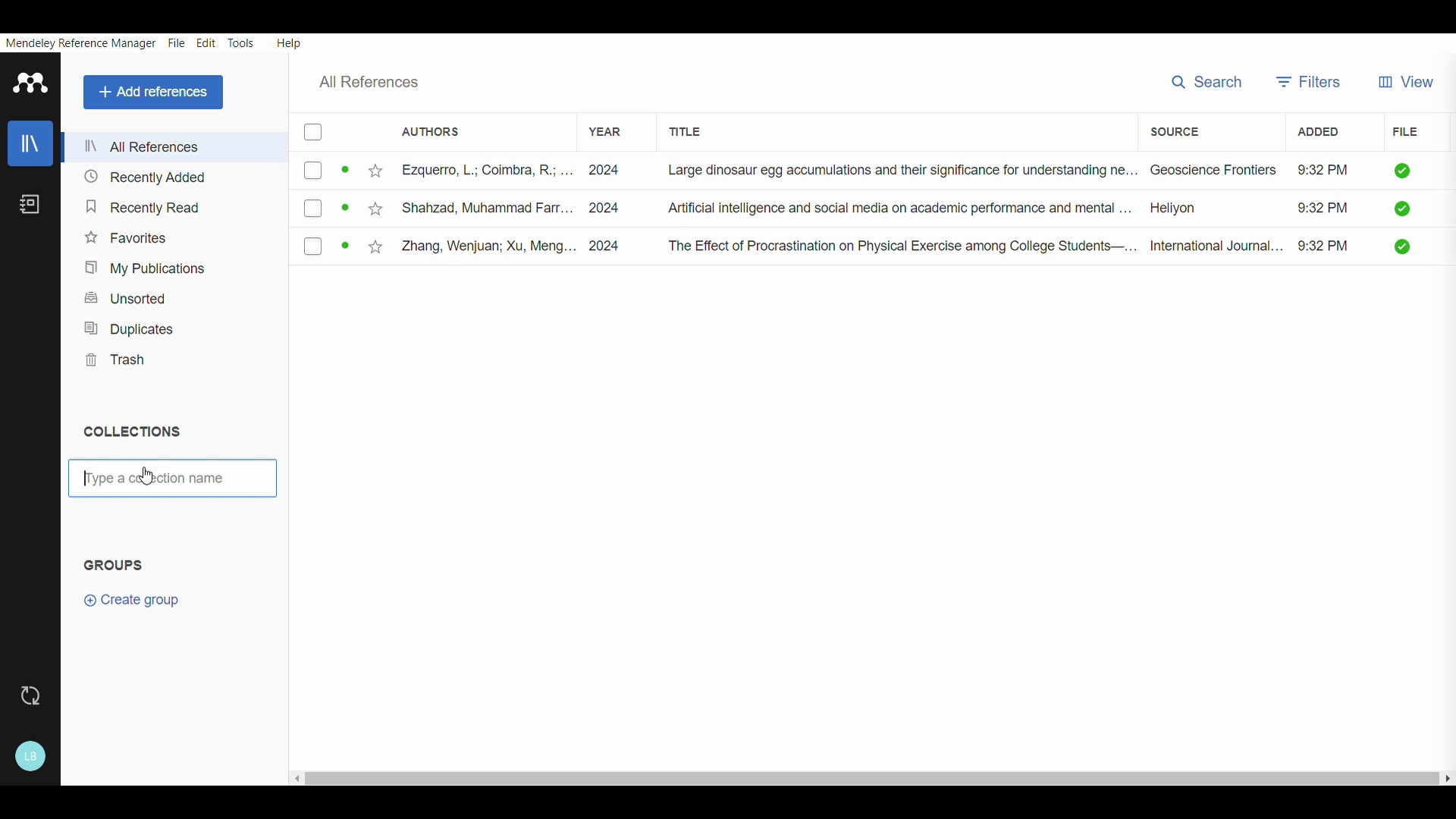 This screenshot has height=819, width=1456. What do you see at coordinates (1410, 76) in the screenshot?
I see `View` at bounding box center [1410, 76].